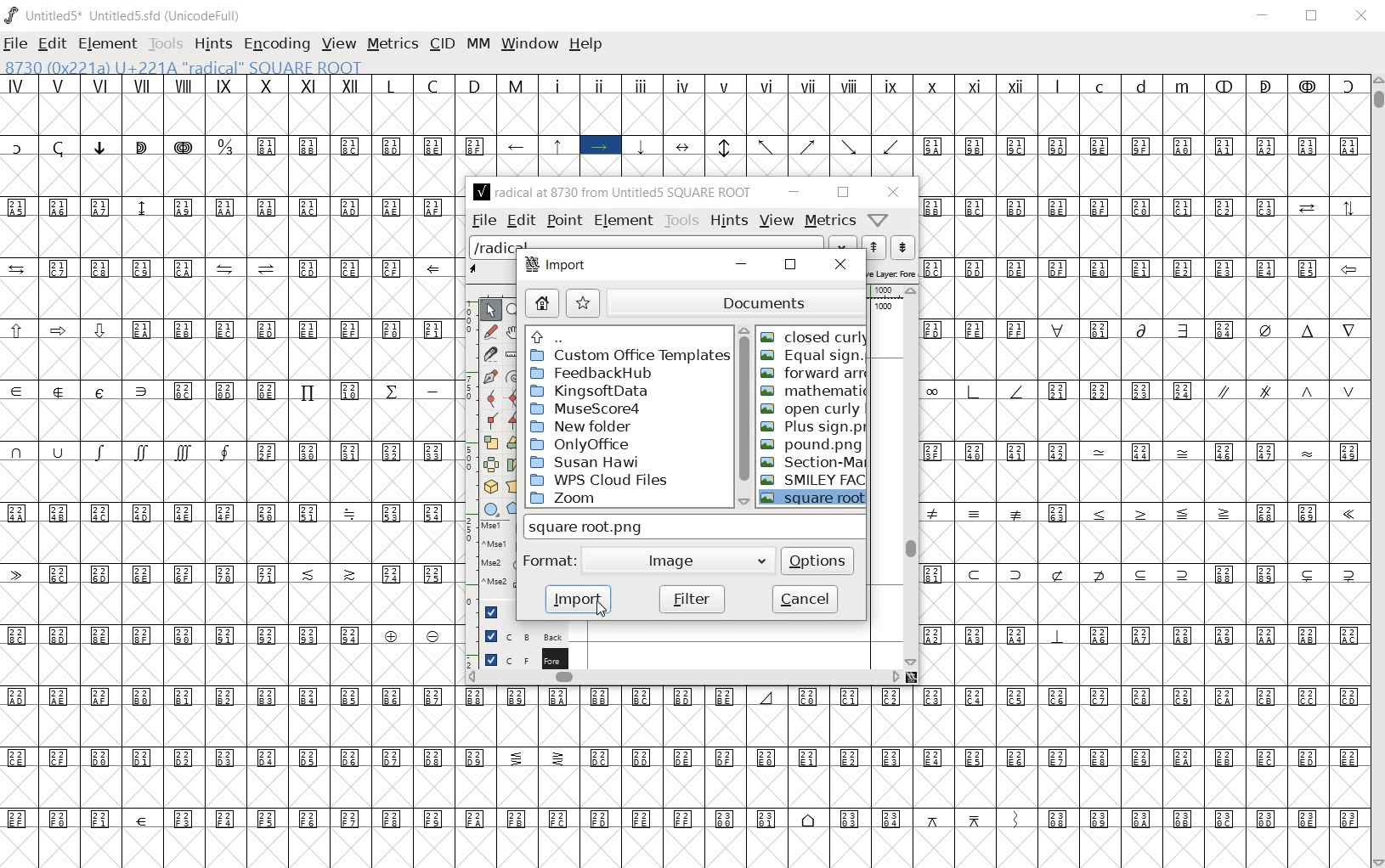  I want to click on scrollbar, so click(913, 476).